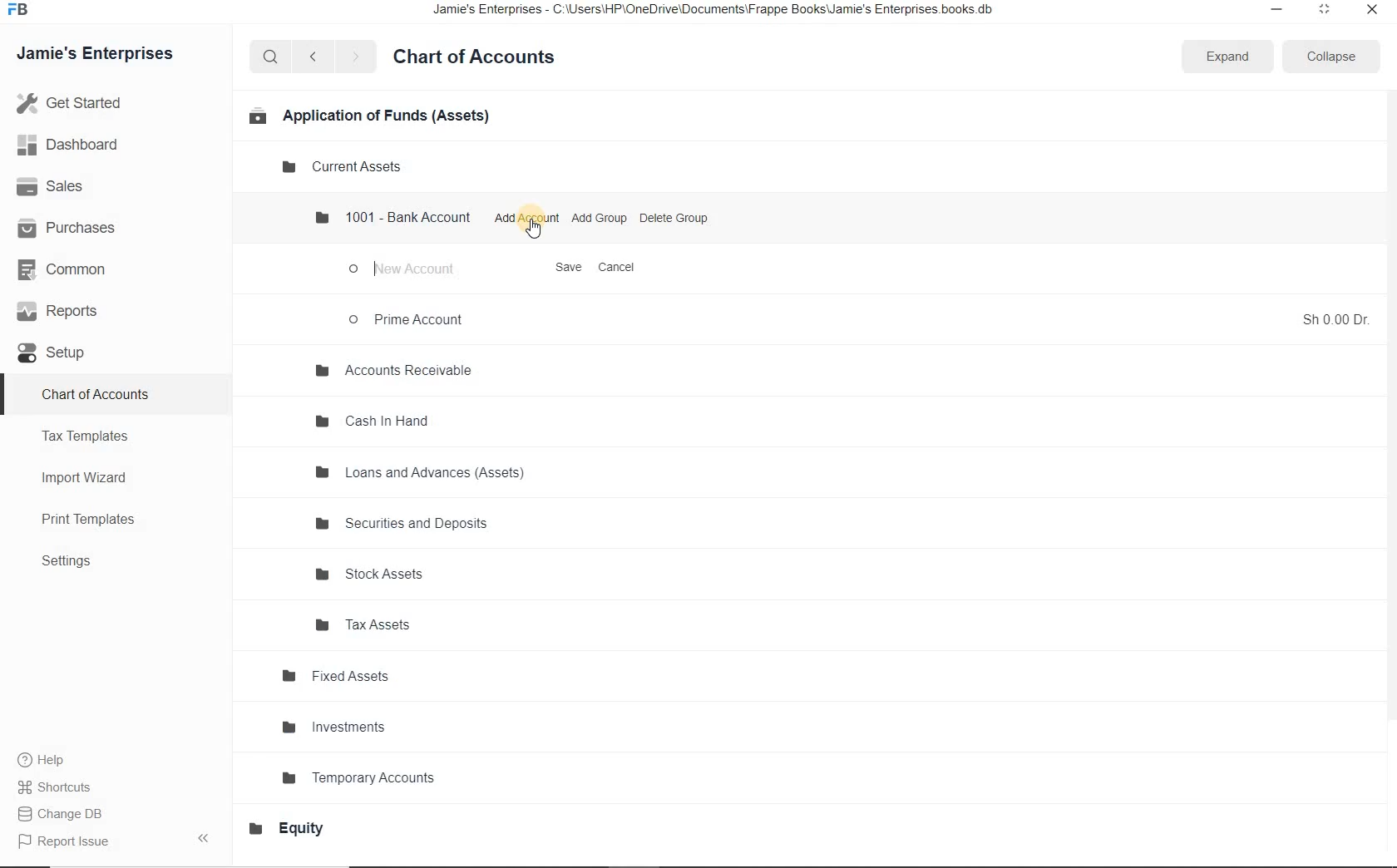  I want to click on  Setup, so click(63, 354).